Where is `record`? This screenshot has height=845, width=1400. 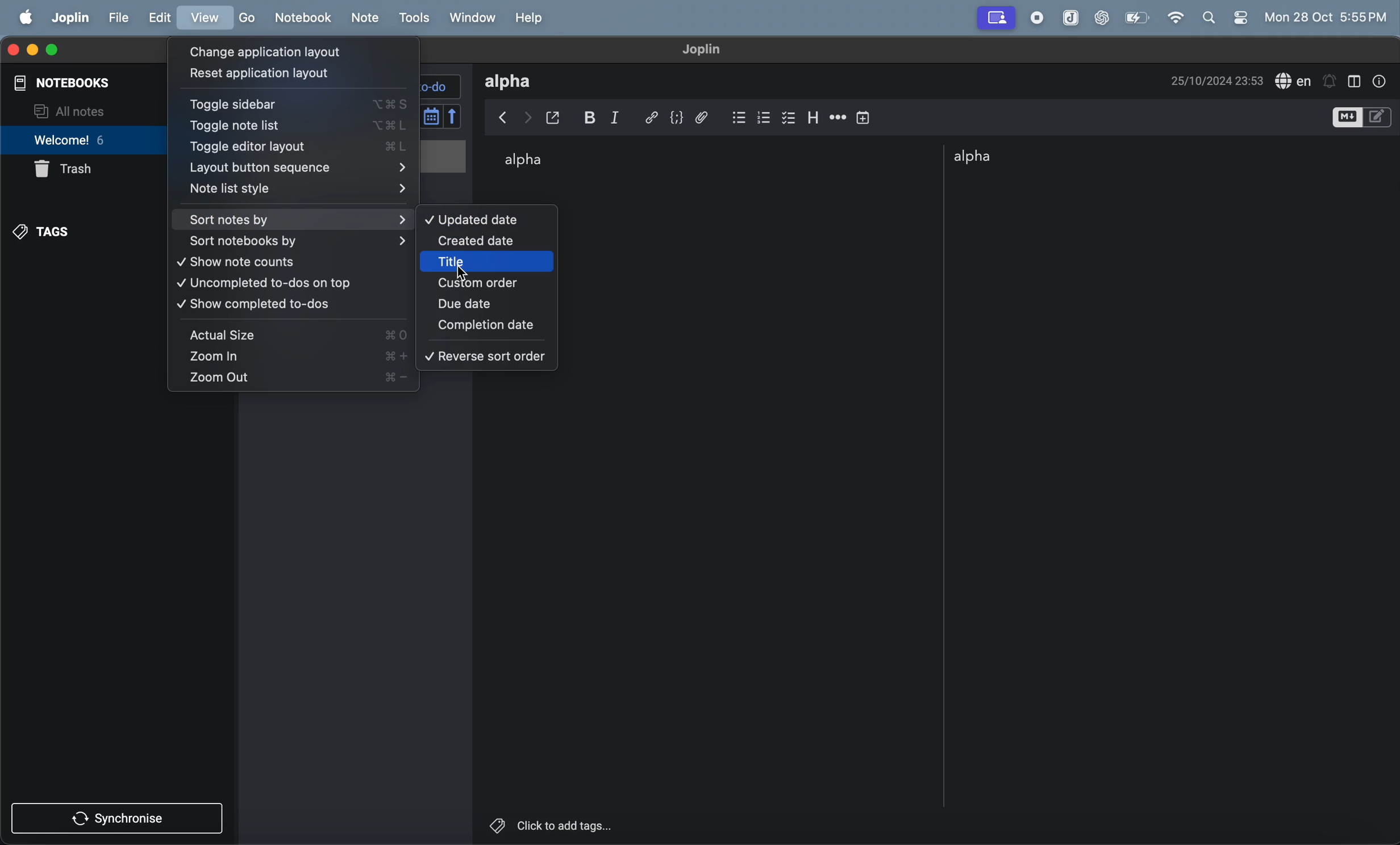
record is located at coordinates (1040, 18).